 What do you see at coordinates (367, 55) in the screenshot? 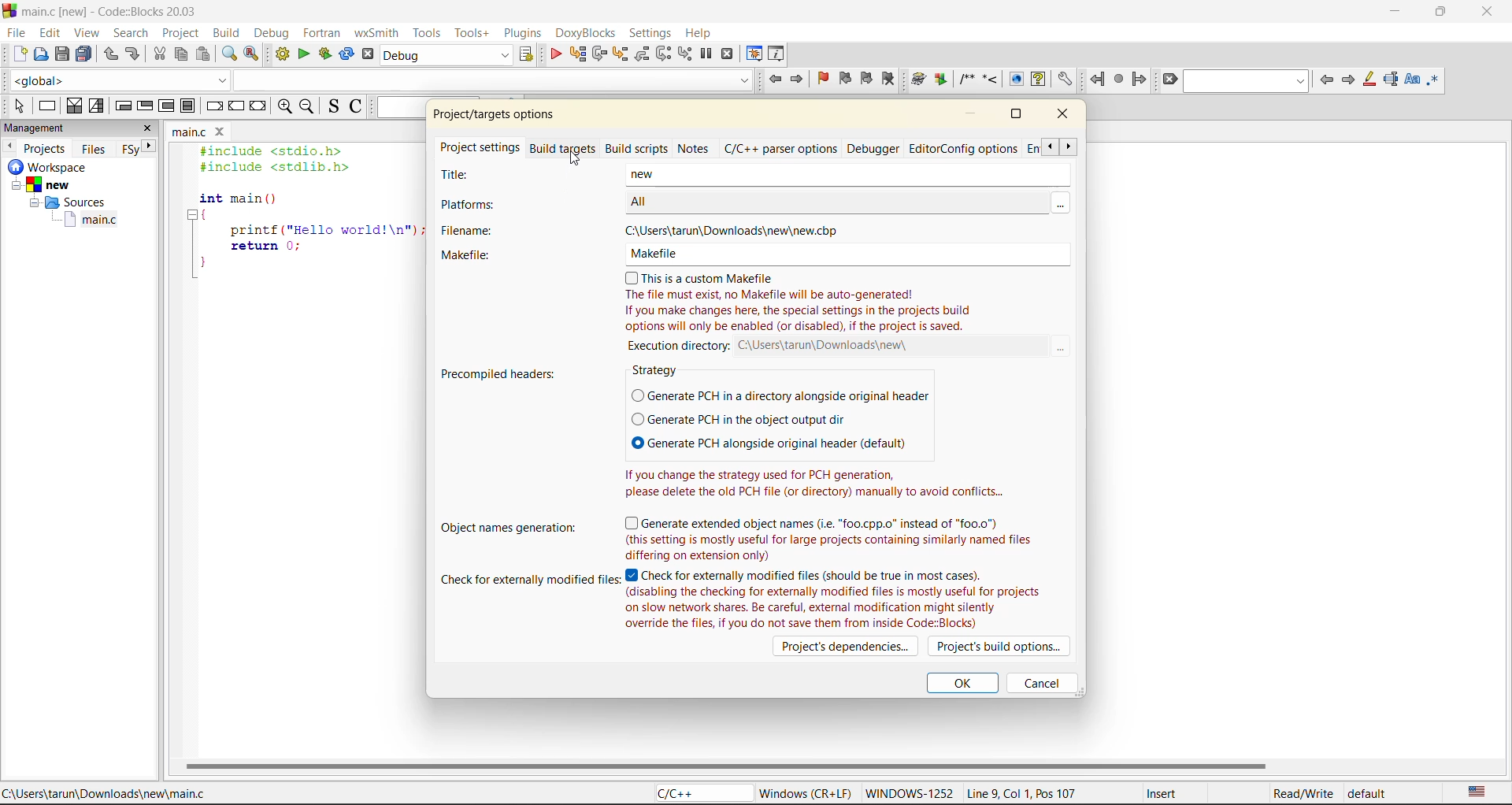
I see `abort` at bounding box center [367, 55].